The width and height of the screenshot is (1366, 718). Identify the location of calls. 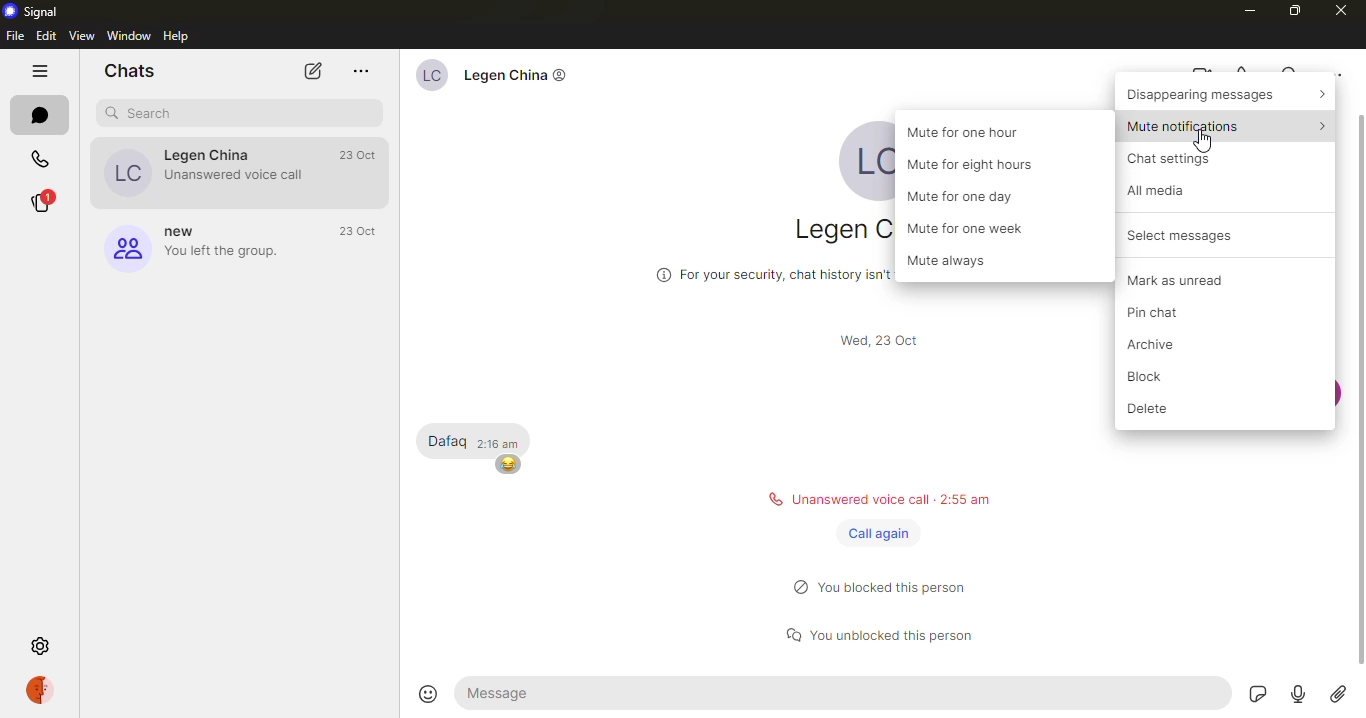
(40, 160).